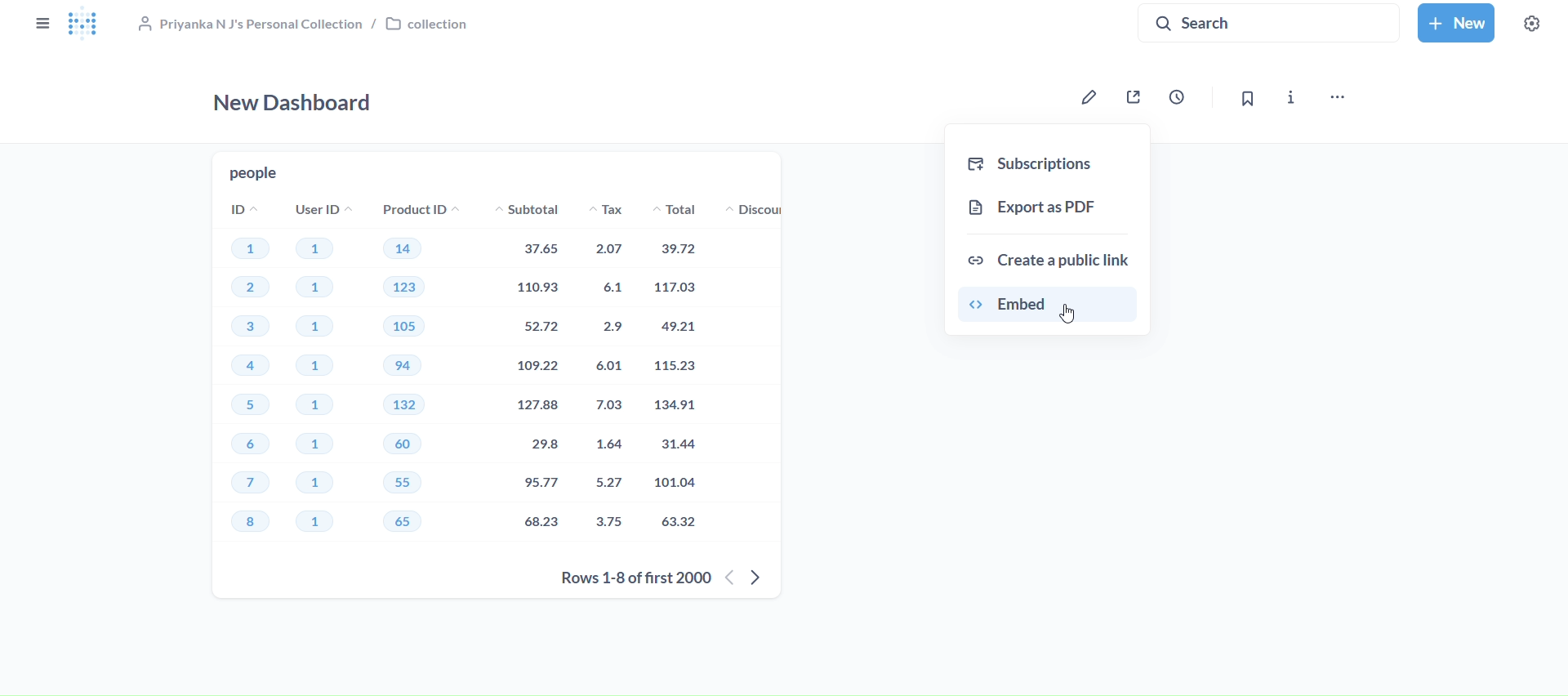  Describe the element at coordinates (1088, 97) in the screenshot. I see `edit` at that location.